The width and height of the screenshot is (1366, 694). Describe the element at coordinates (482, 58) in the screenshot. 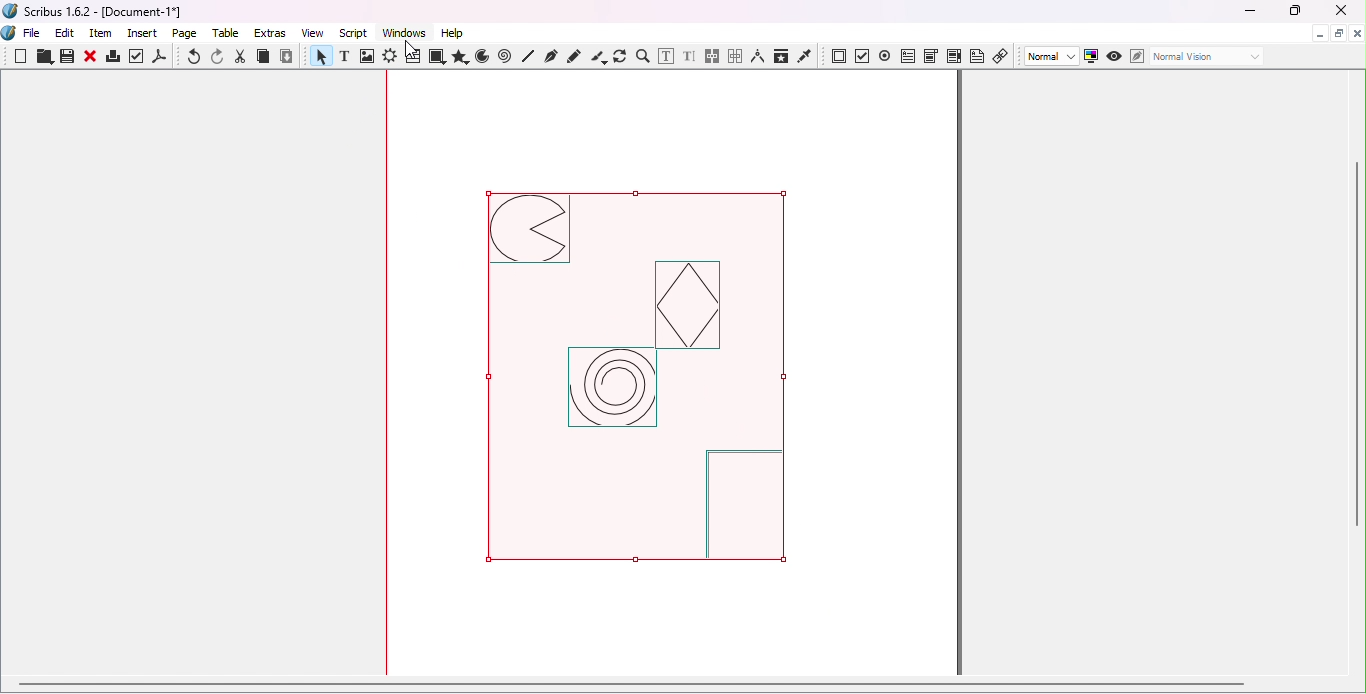

I see `Arc` at that location.